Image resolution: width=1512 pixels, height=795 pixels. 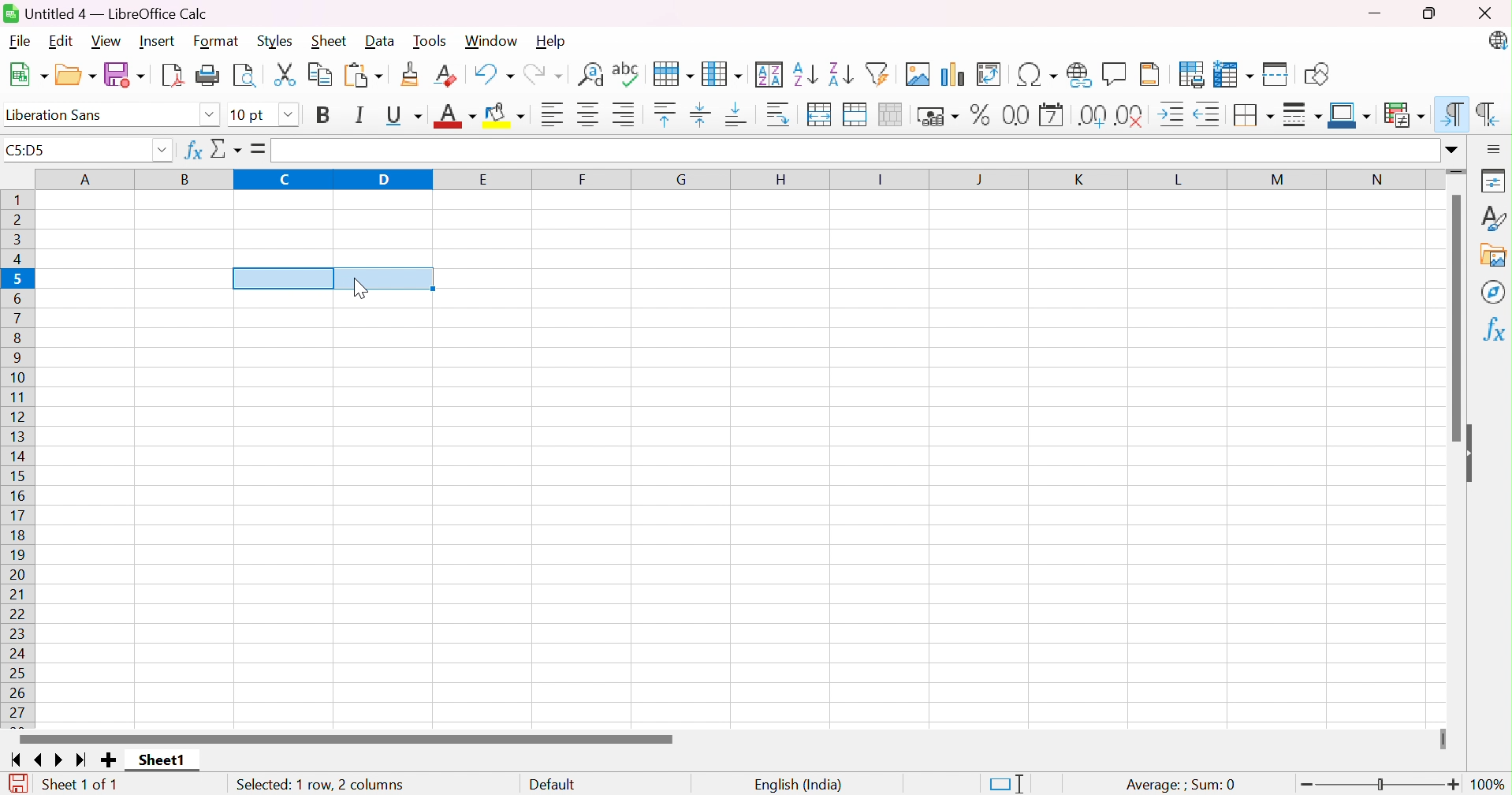 What do you see at coordinates (412, 74) in the screenshot?
I see `Clone Formatting` at bounding box center [412, 74].